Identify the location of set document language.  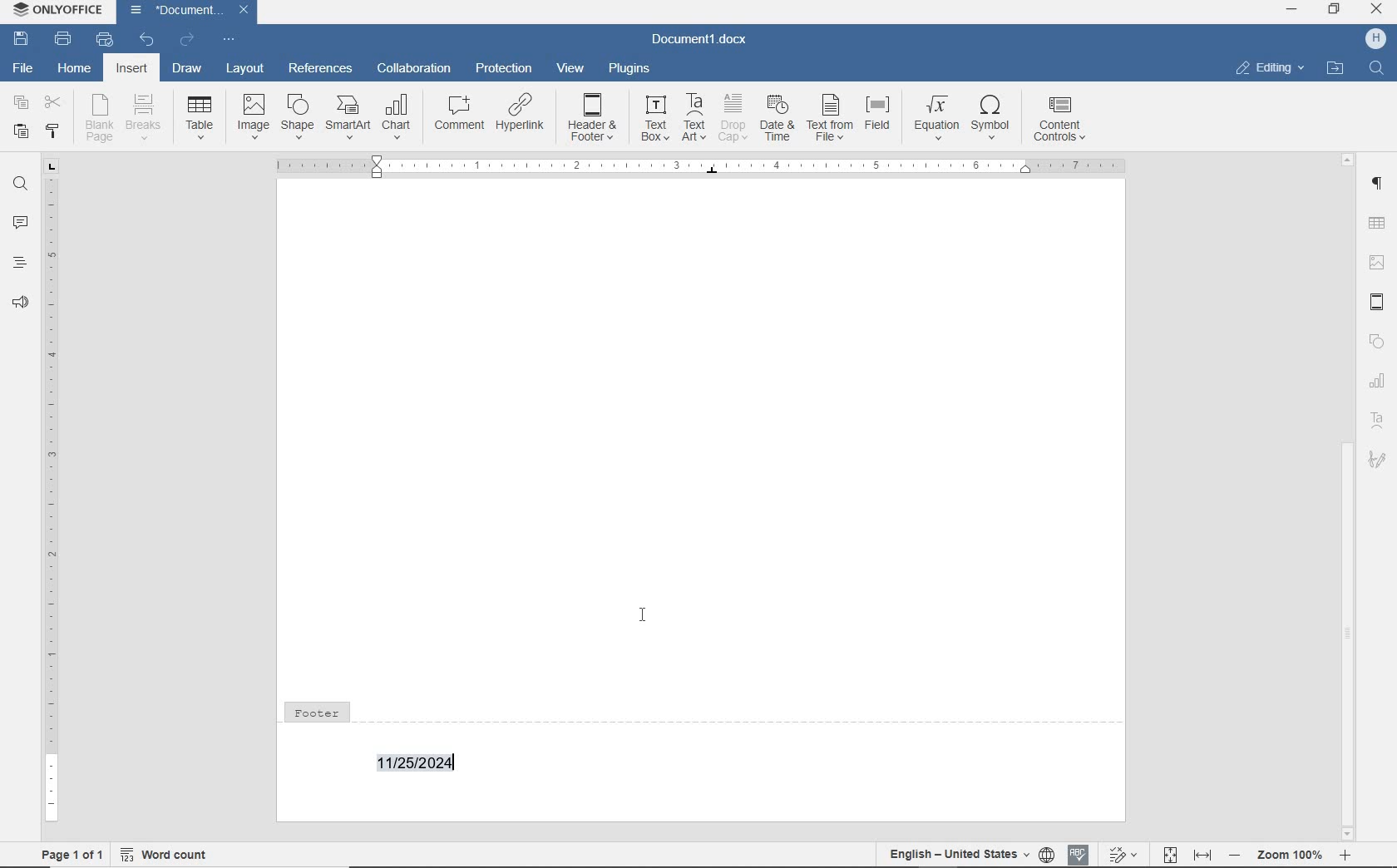
(1047, 855).